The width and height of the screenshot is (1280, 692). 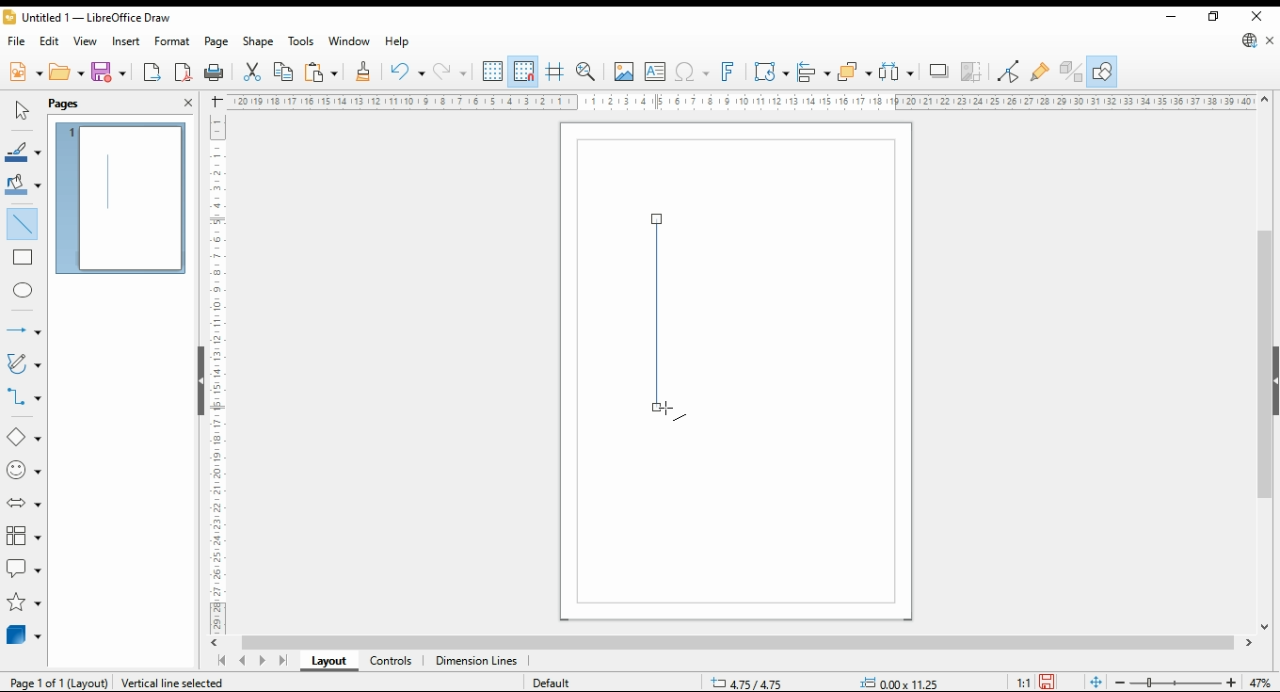 What do you see at coordinates (250, 72) in the screenshot?
I see `cut` at bounding box center [250, 72].